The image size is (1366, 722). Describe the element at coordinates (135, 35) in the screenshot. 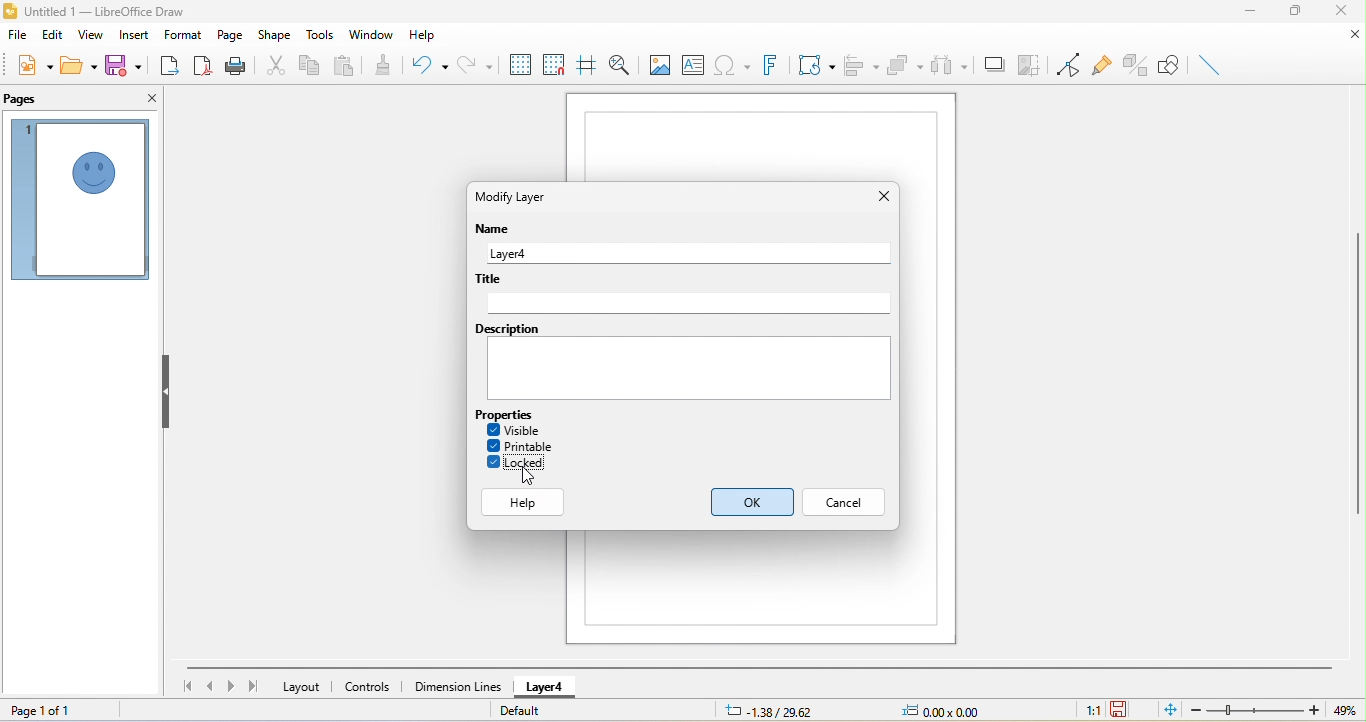

I see `insert` at that location.